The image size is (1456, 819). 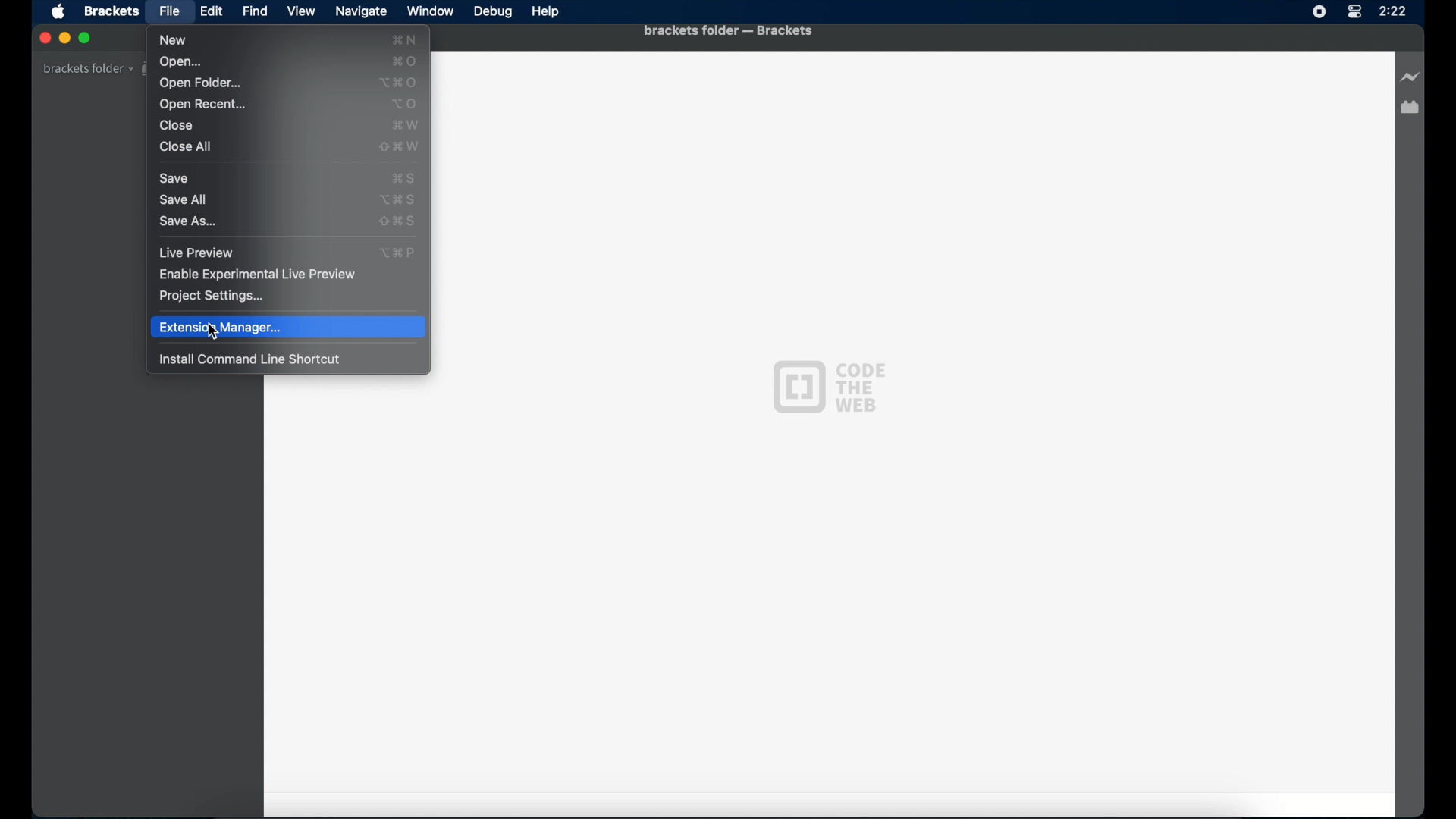 What do you see at coordinates (60, 13) in the screenshot?
I see `apple icon` at bounding box center [60, 13].